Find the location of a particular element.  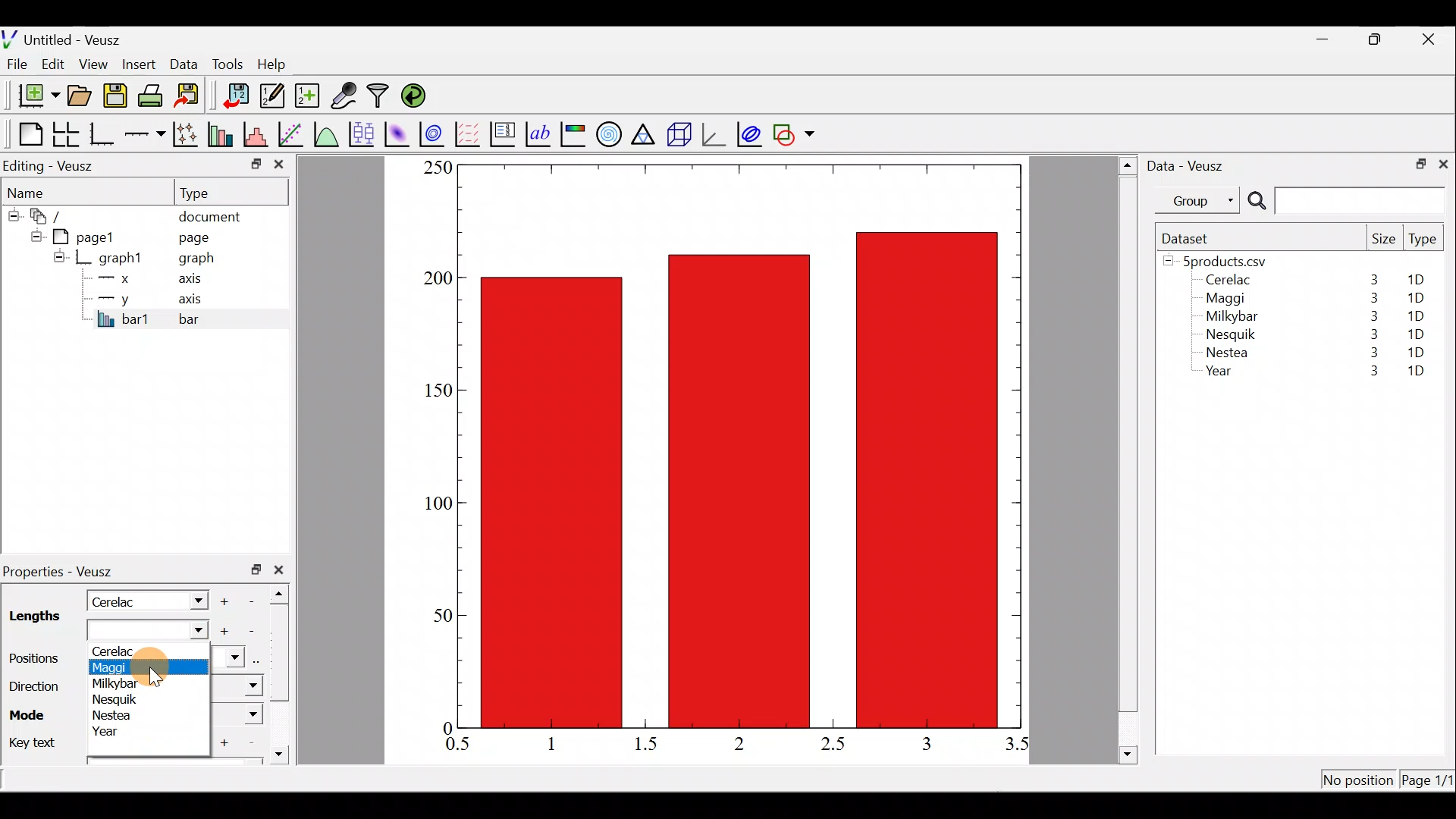

Mode is located at coordinates (31, 712).